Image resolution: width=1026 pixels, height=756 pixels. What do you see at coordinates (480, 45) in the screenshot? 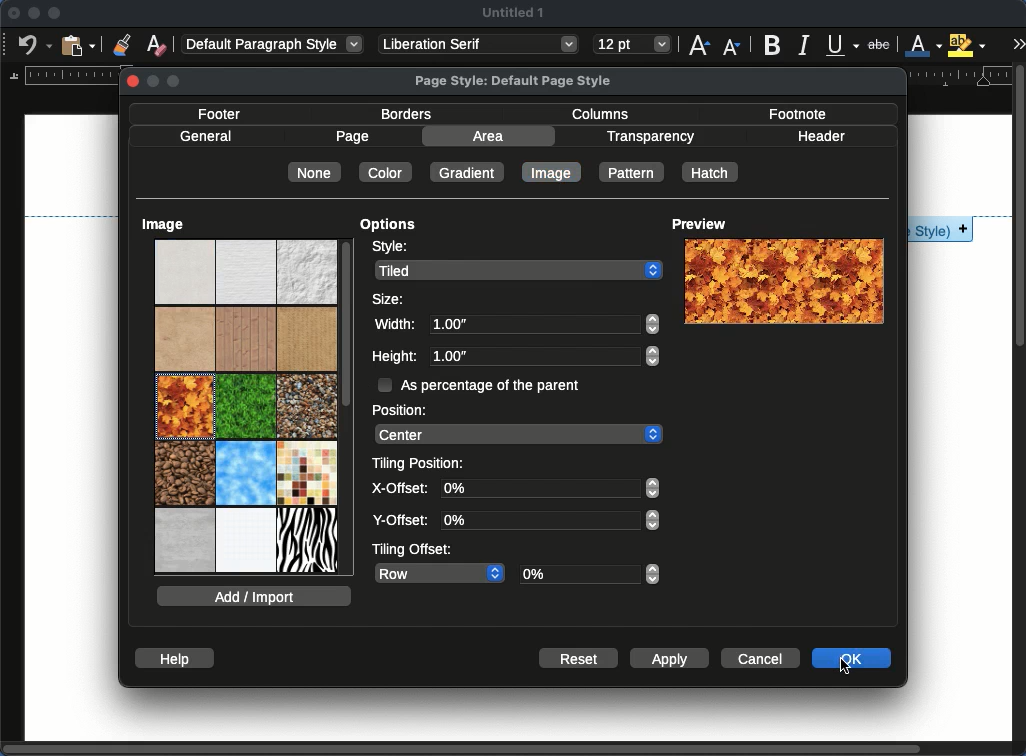
I see `Liberation serif` at bounding box center [480, 45].